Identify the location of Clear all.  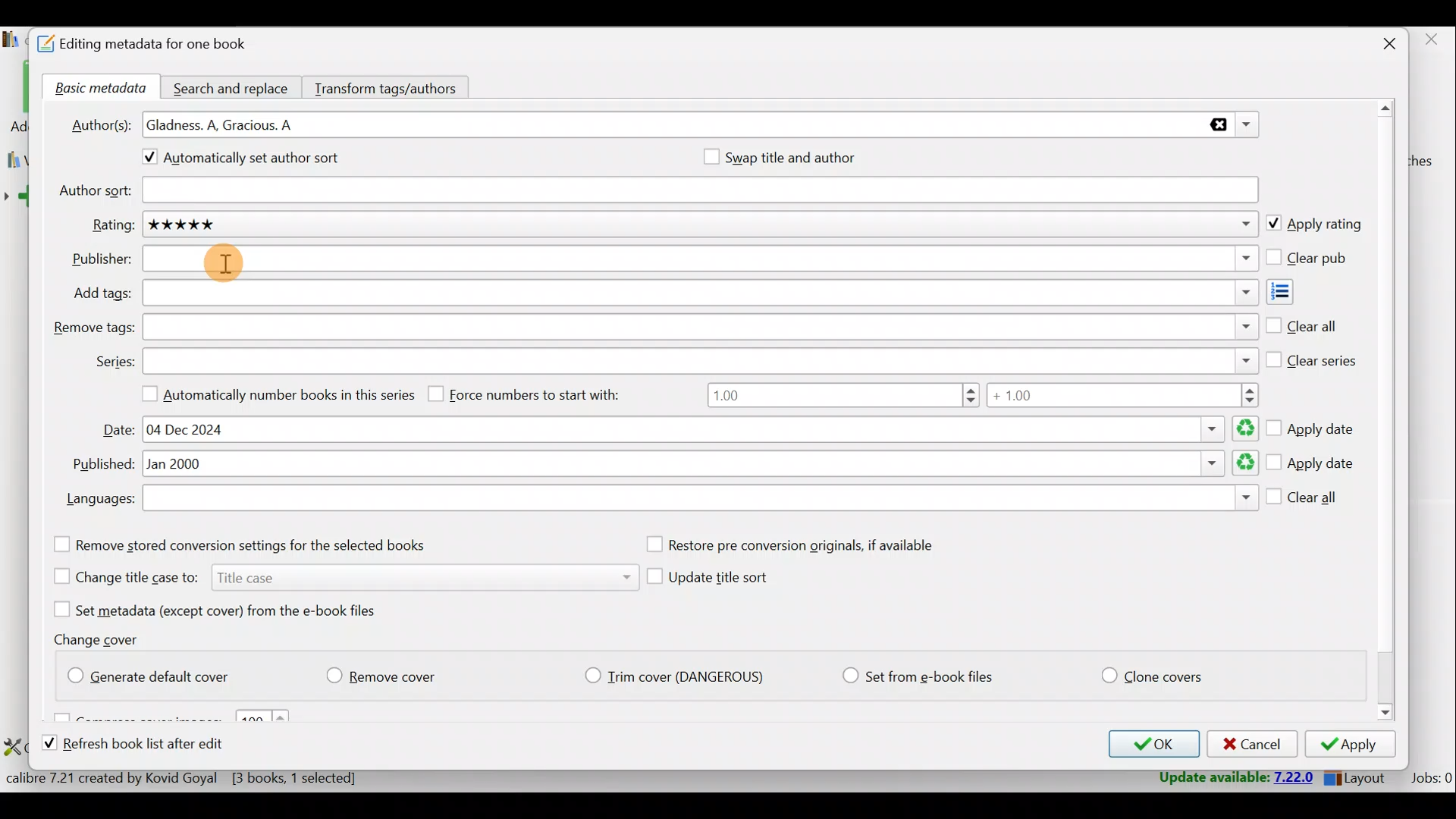
(1302, 323).